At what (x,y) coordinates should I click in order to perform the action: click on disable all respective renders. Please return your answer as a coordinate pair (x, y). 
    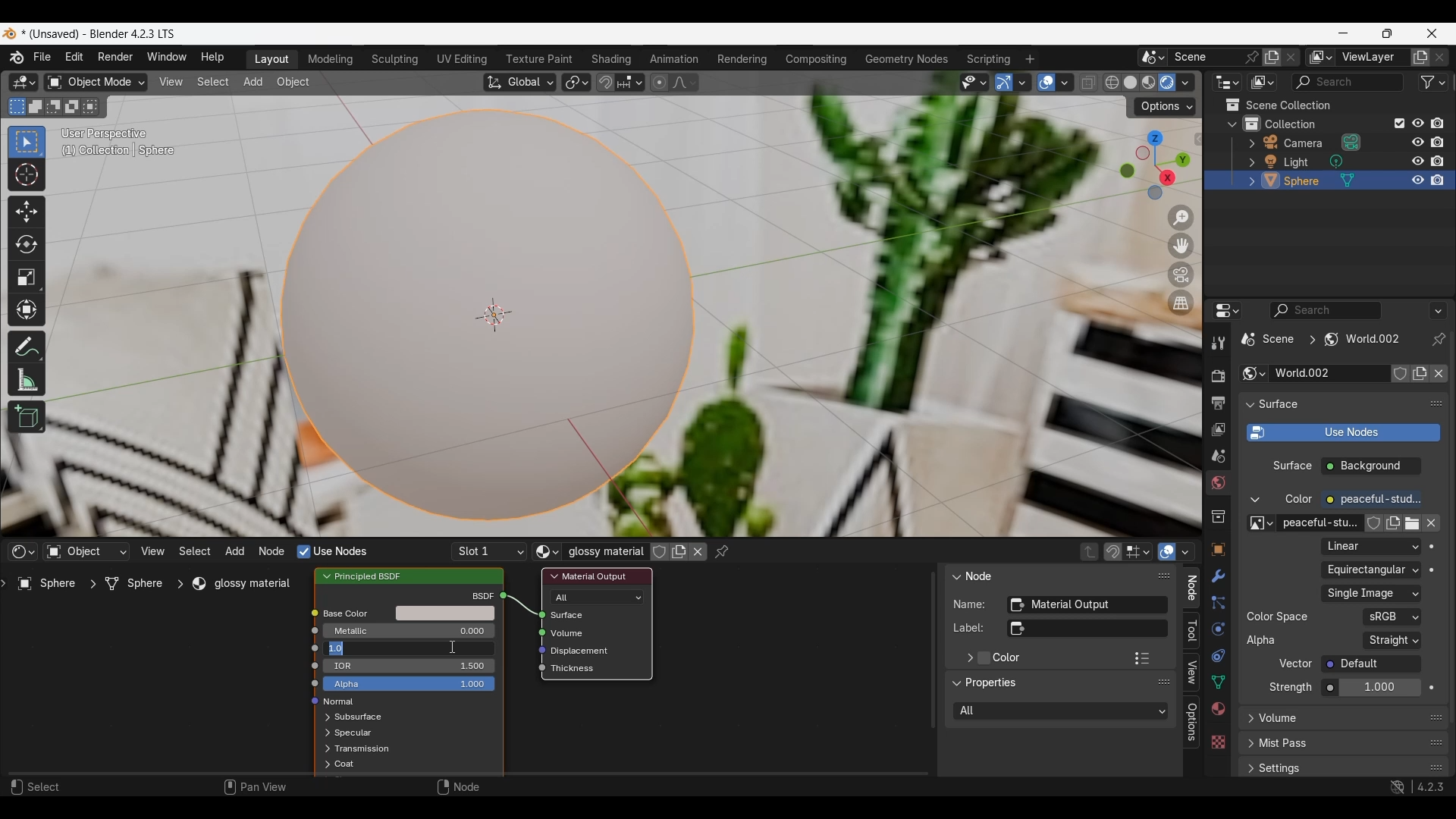
    Looking at the image, I should click on (1443, 180).